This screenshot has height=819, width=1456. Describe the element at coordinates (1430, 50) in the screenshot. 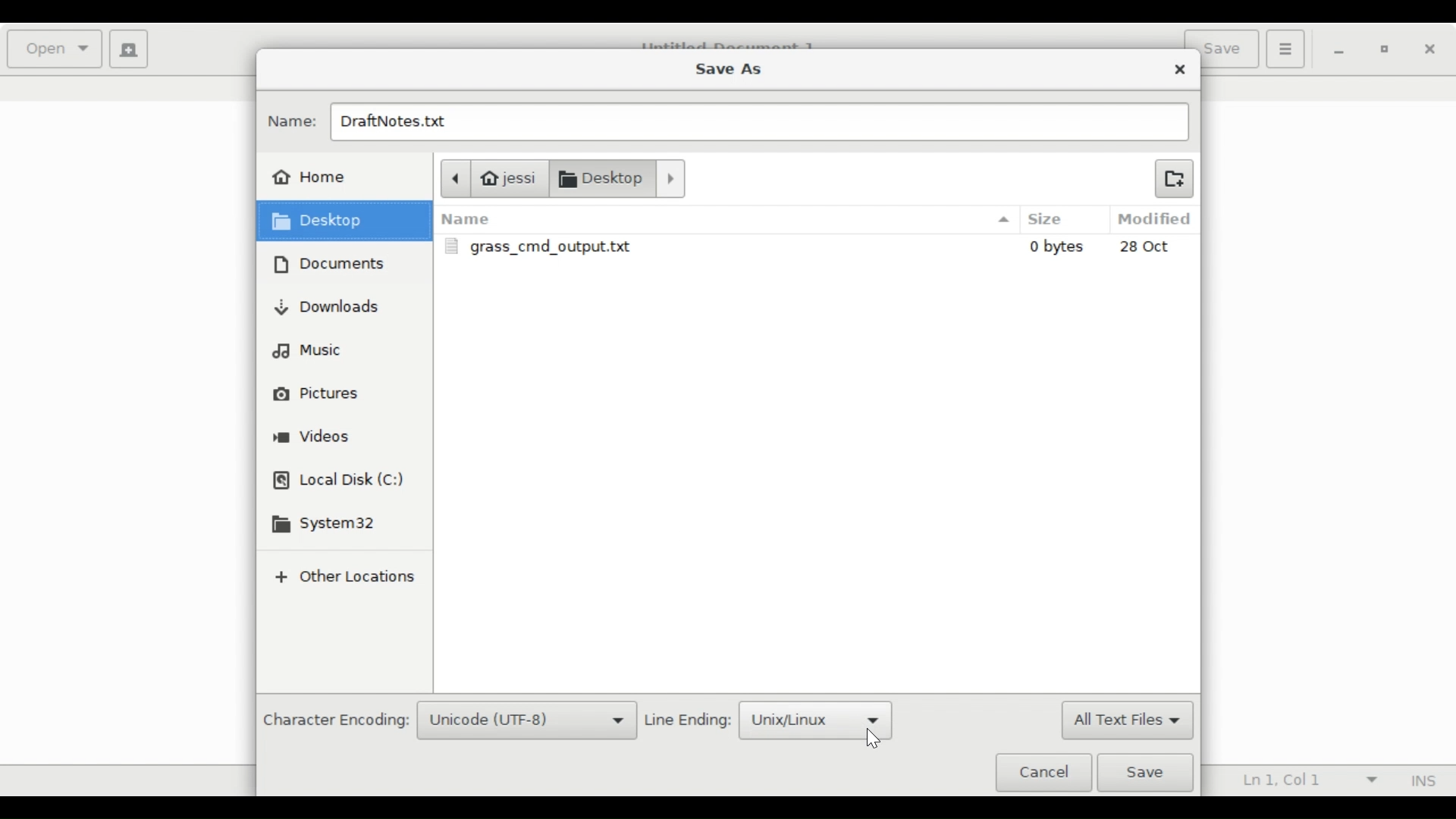

I see `Close` at that location.